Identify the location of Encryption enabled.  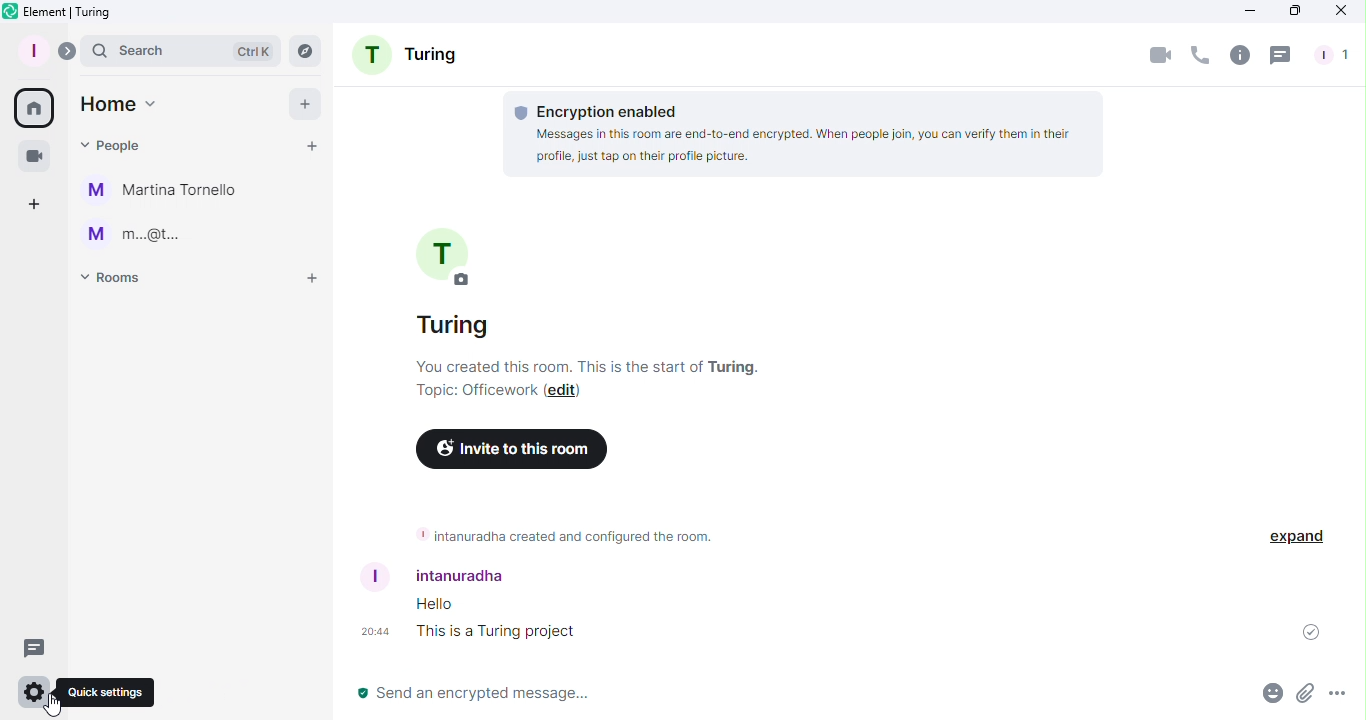
(810, 135).